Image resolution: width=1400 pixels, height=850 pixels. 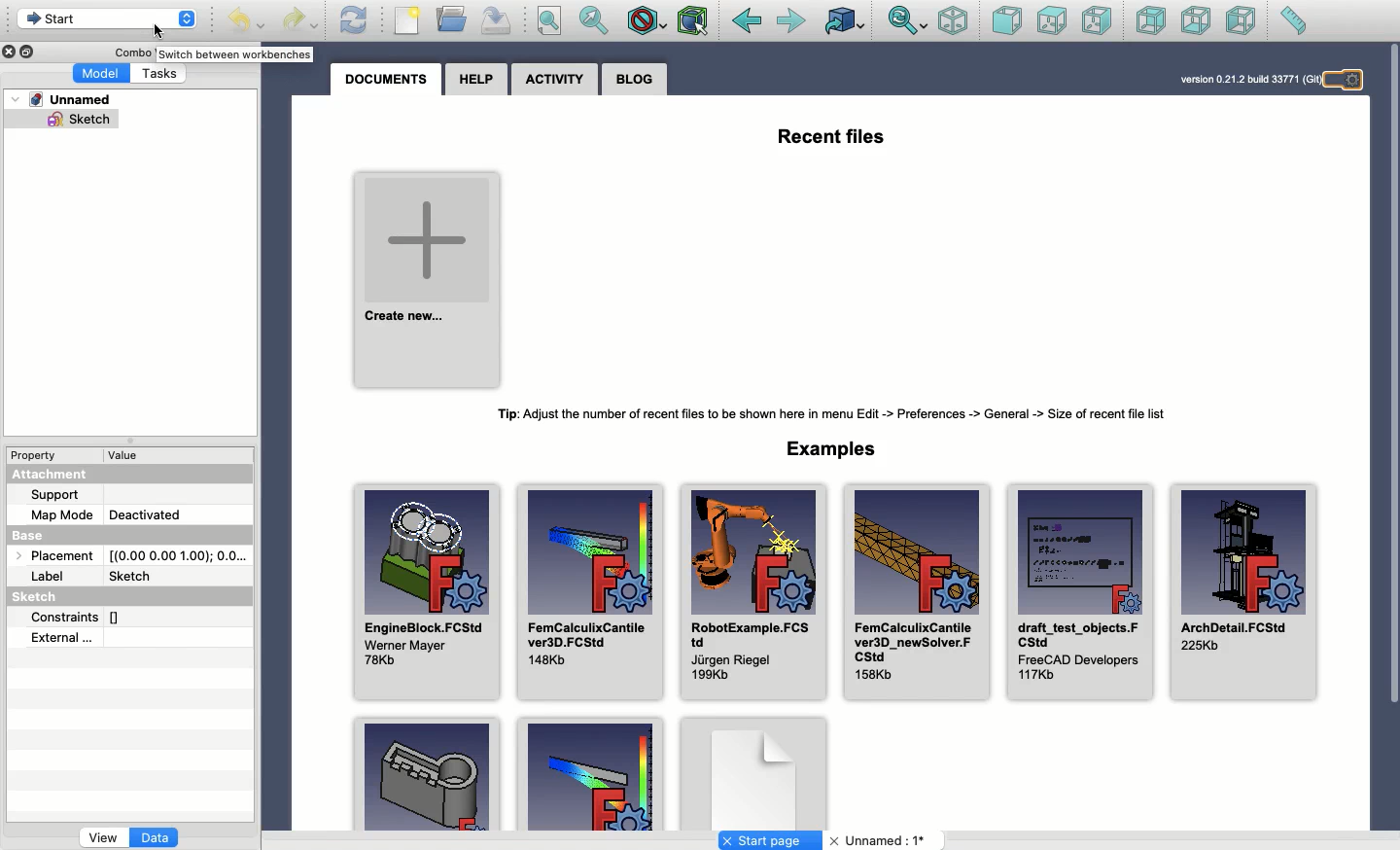 I want to click on Sync view, so click(x=908, y=22).